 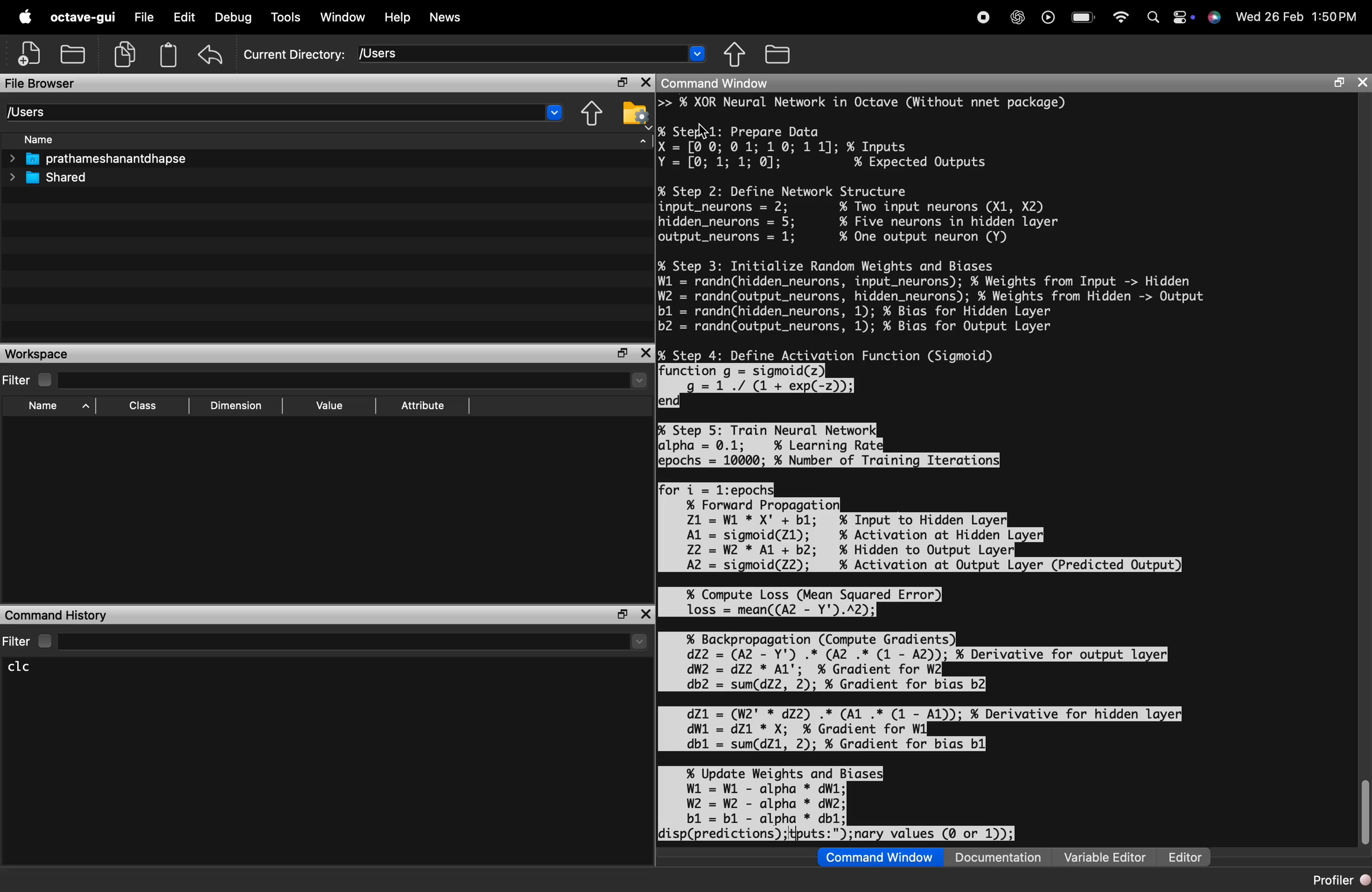 I want to click on prathameshanantdhapse, so click(x=97, y=159).